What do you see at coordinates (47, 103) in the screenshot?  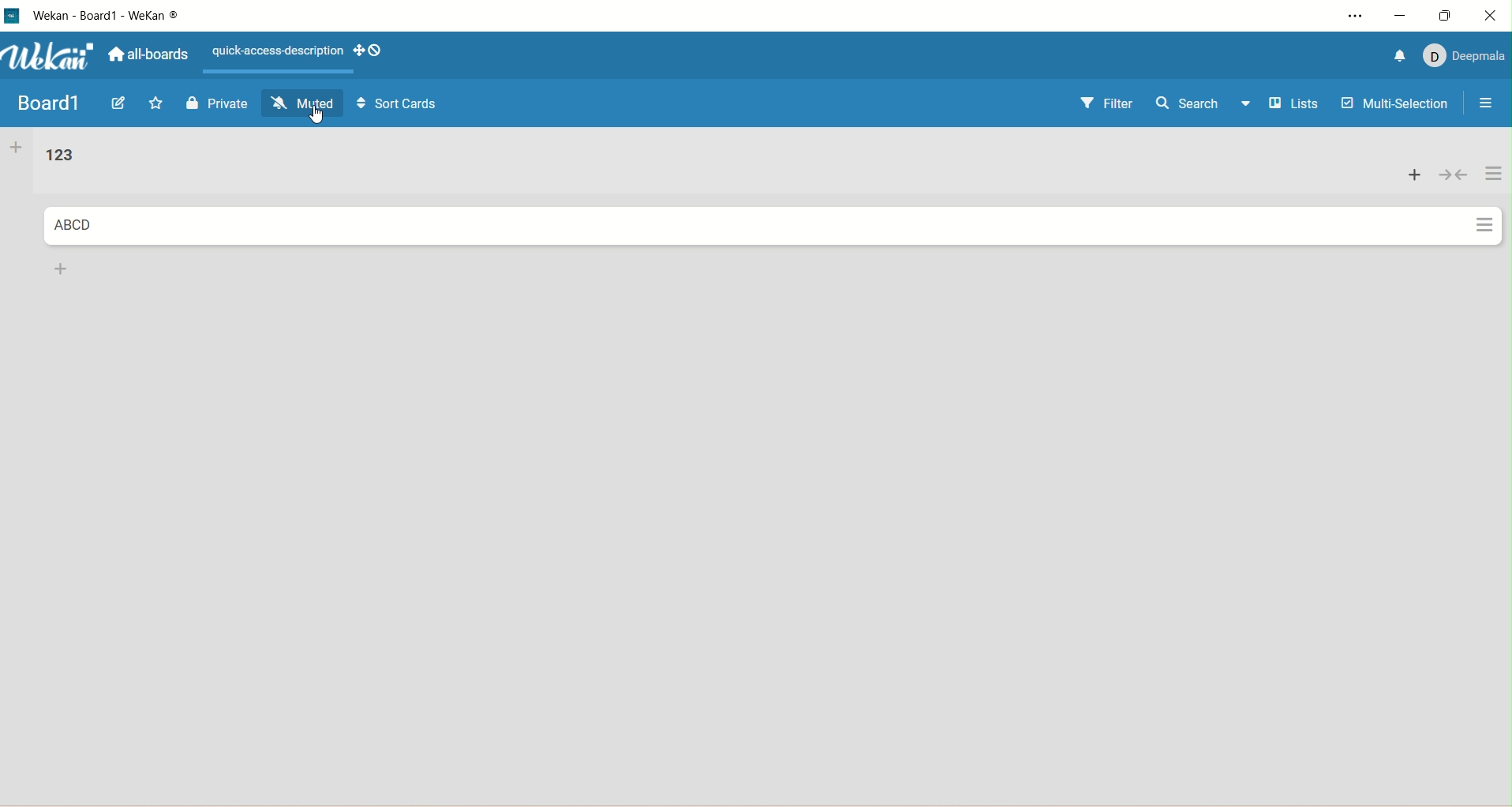 I see `board title` at bounding box center [47, 103].